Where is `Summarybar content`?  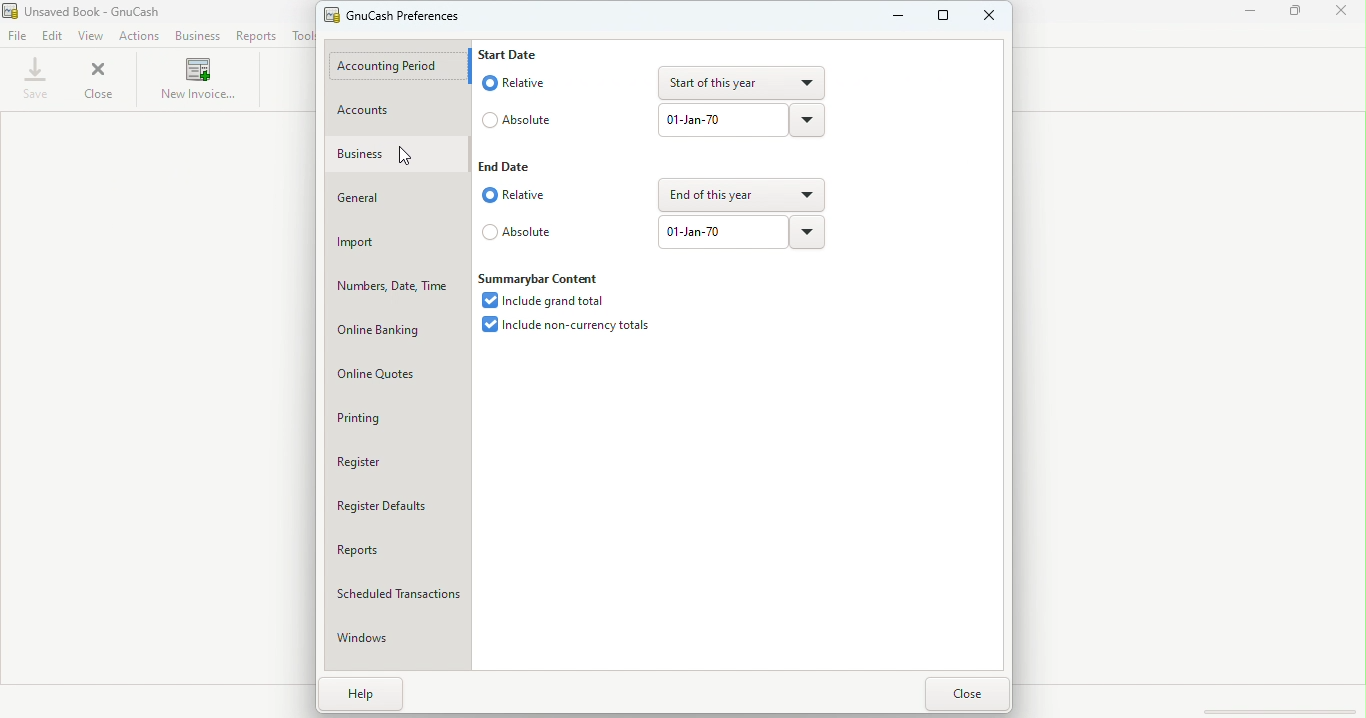 Summarybar content is located at coordinates (542, 277).